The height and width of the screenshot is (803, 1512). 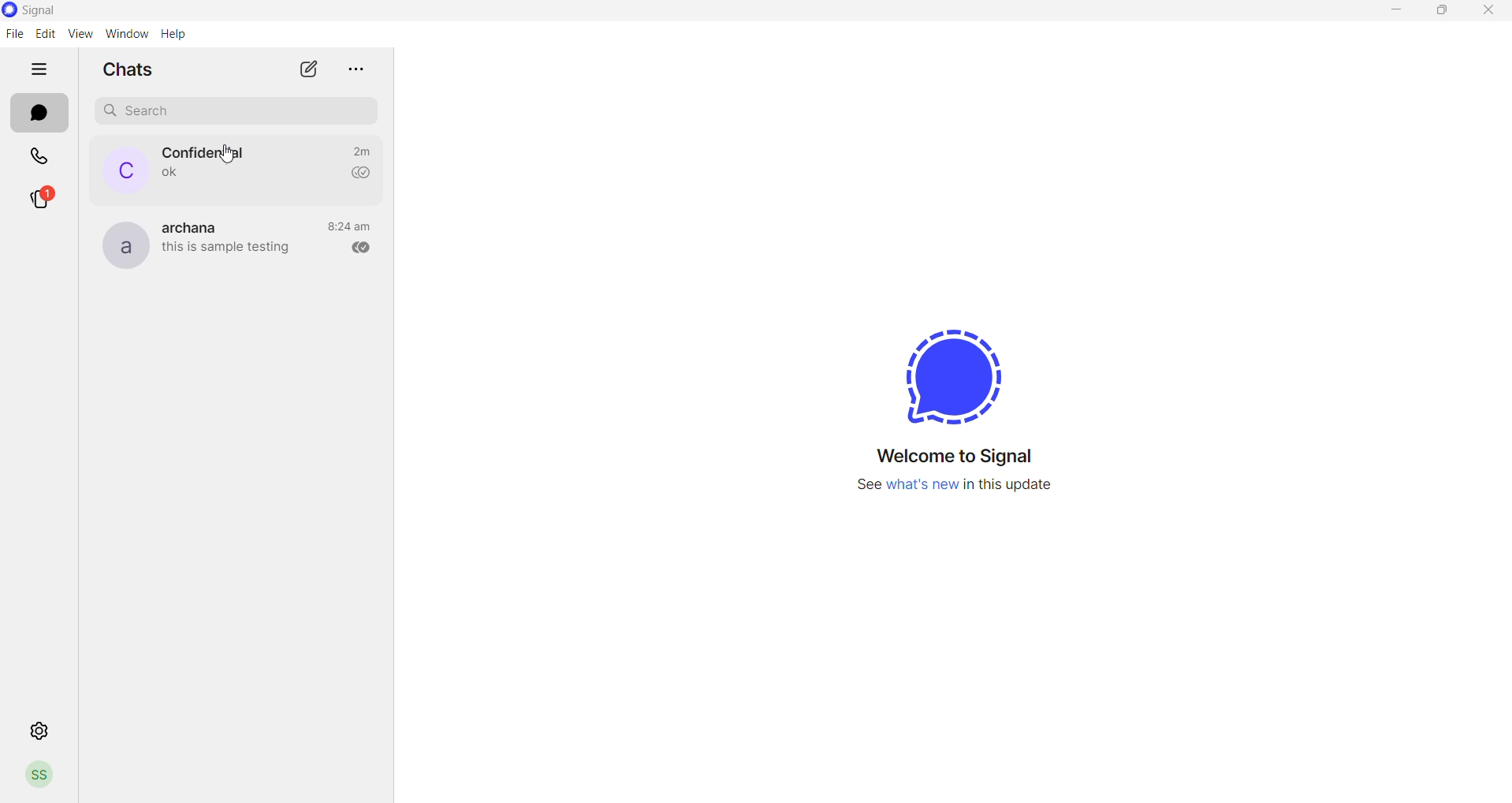 I want to click on chats, so click(x=42, y=114).